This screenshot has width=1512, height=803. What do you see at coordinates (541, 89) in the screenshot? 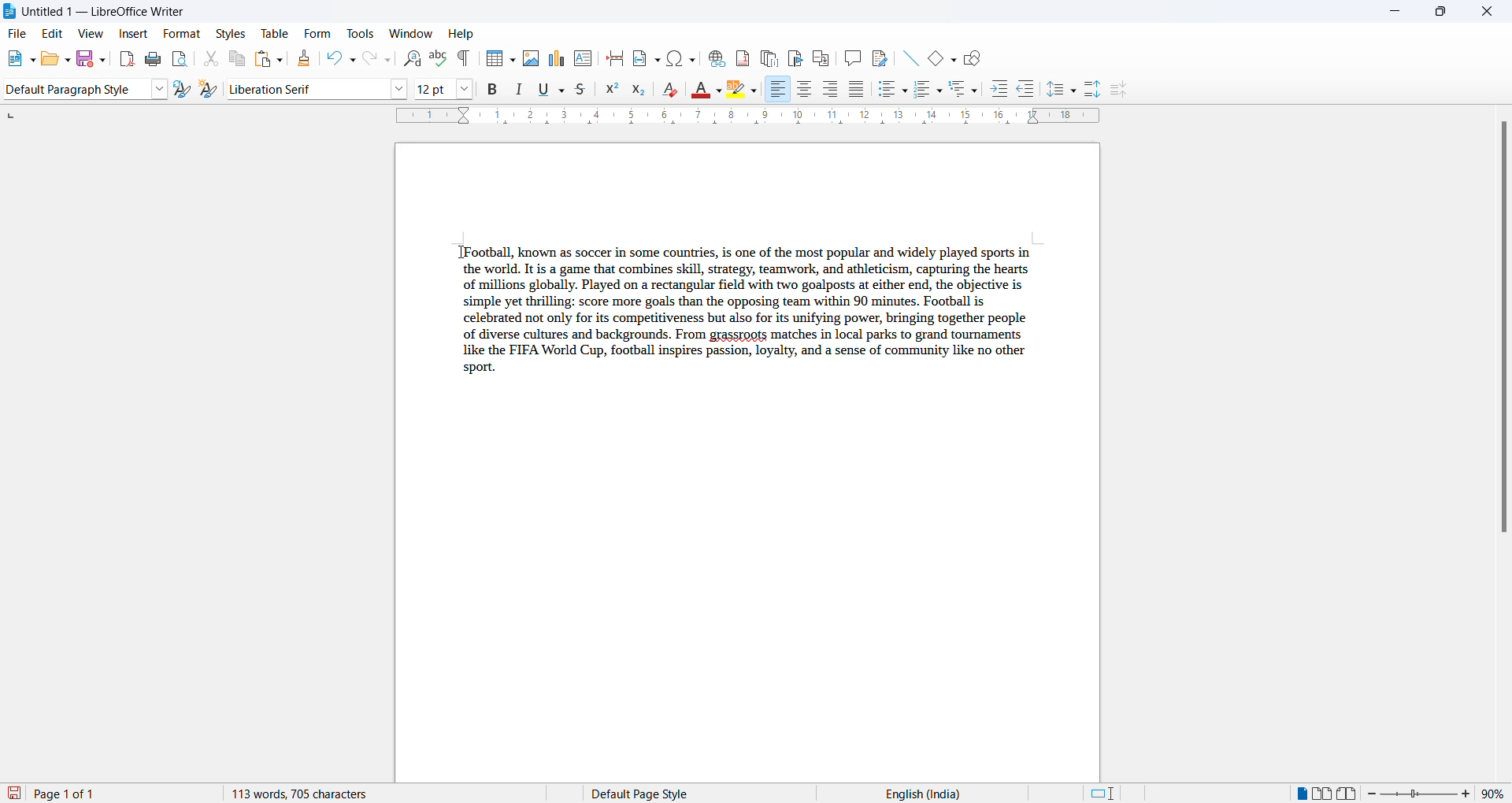
I see `underline` at bounding box center [541, 89].